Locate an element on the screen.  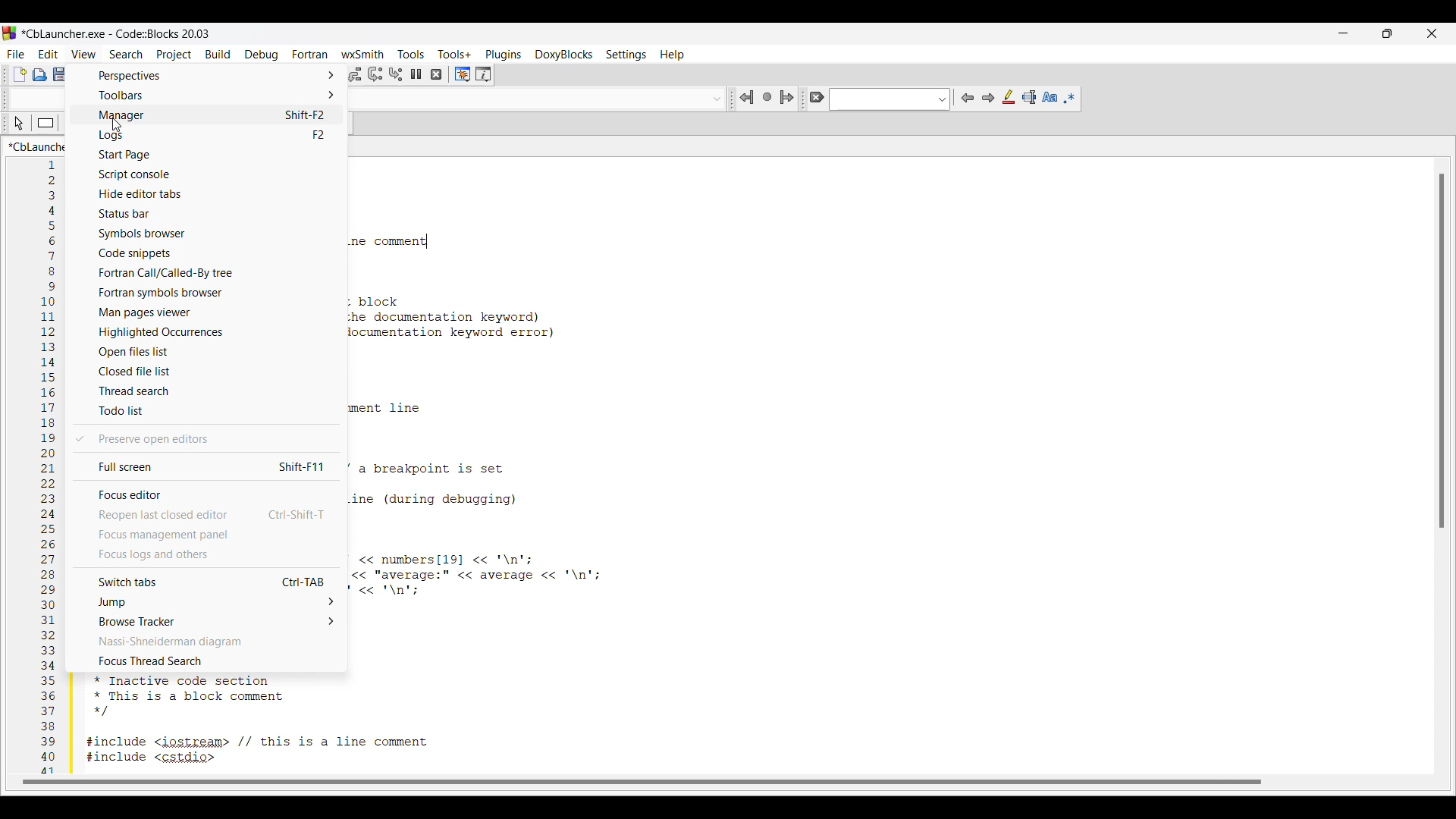
Project menu is located at coordinates (174, 55).